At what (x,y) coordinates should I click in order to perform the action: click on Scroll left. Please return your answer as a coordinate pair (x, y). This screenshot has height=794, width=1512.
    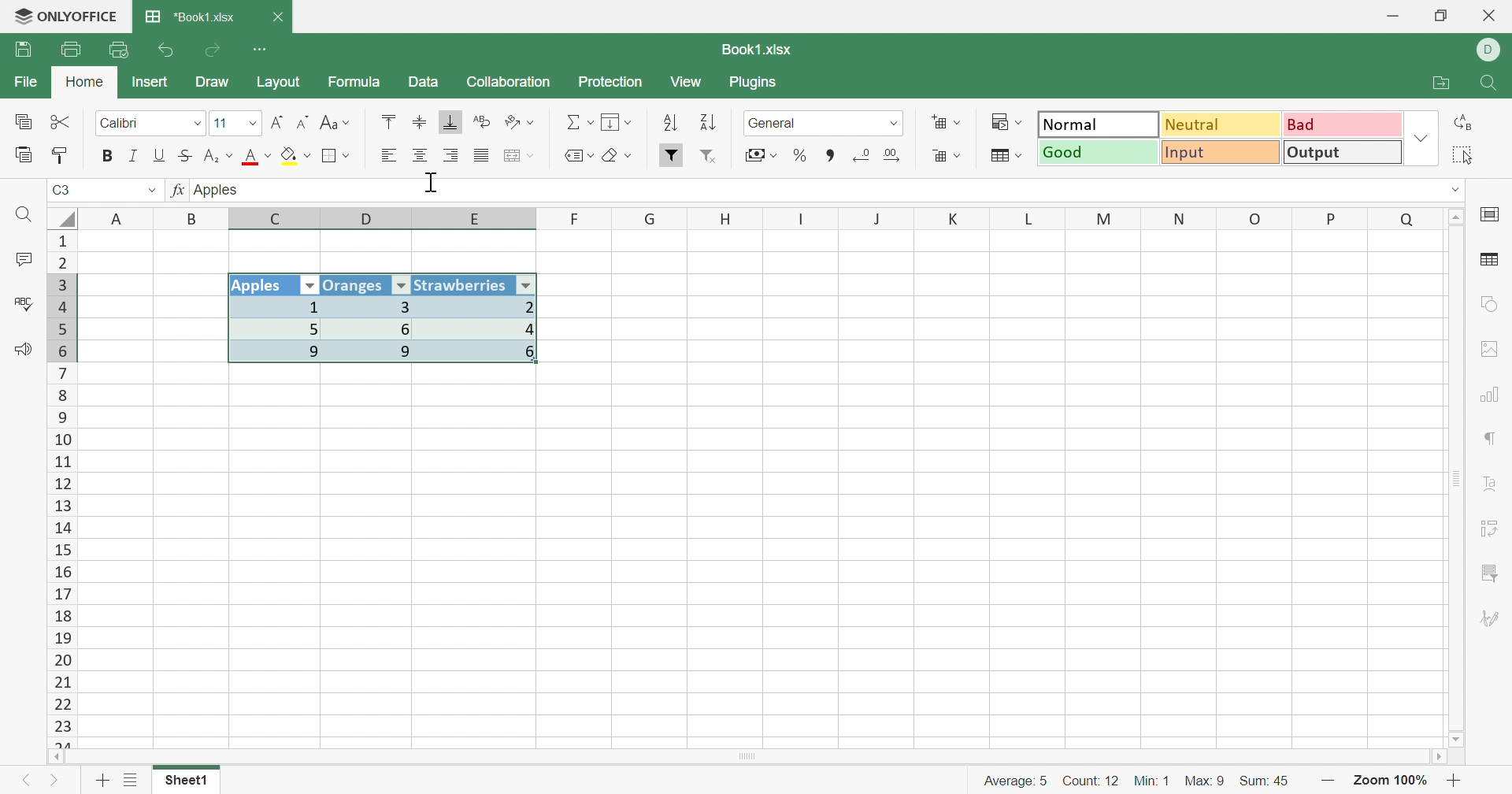
    Looking at the image, I should click on (57, 756).